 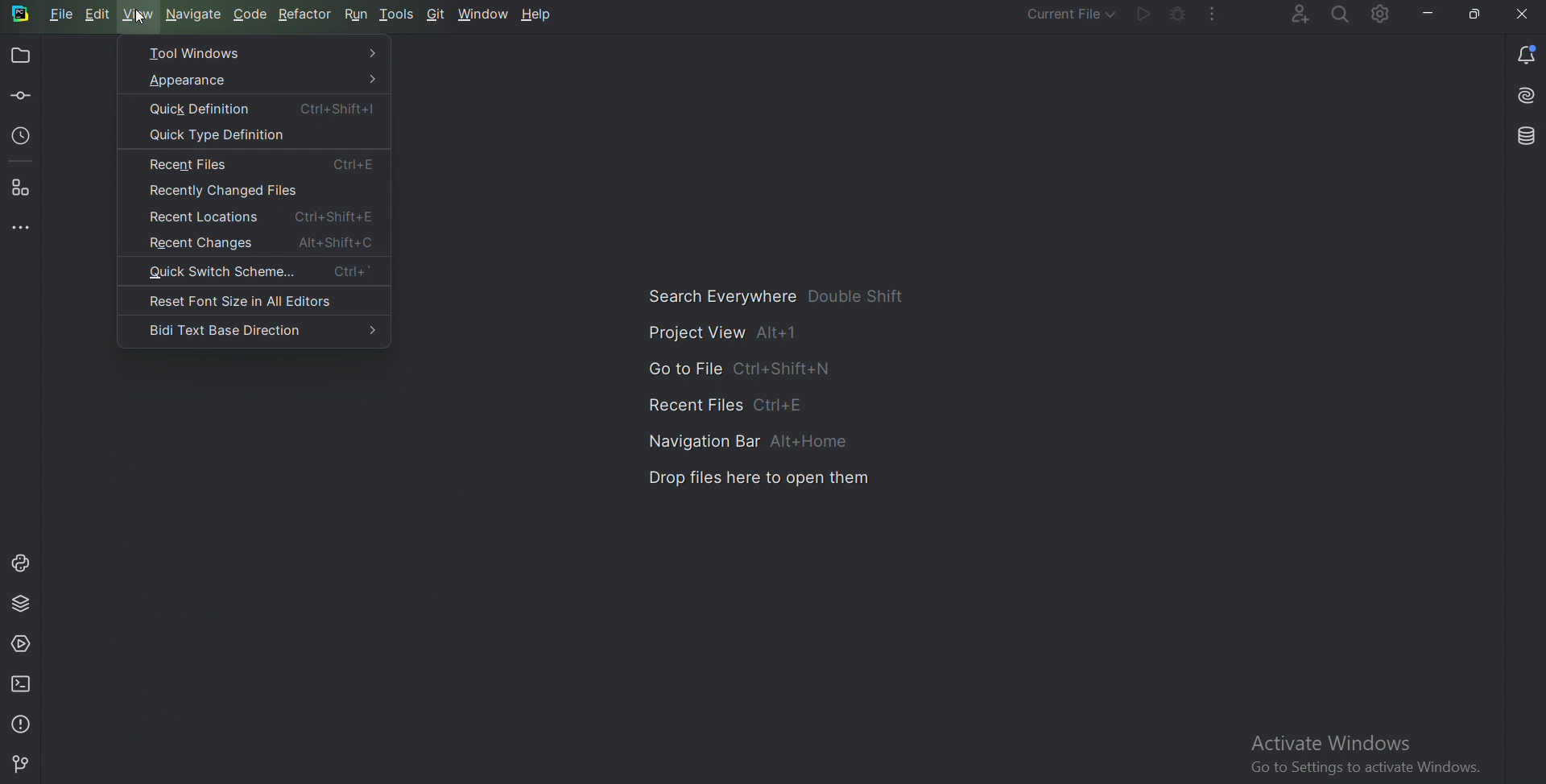 I want to click on Recently changed files, so click(x=254, y=190).